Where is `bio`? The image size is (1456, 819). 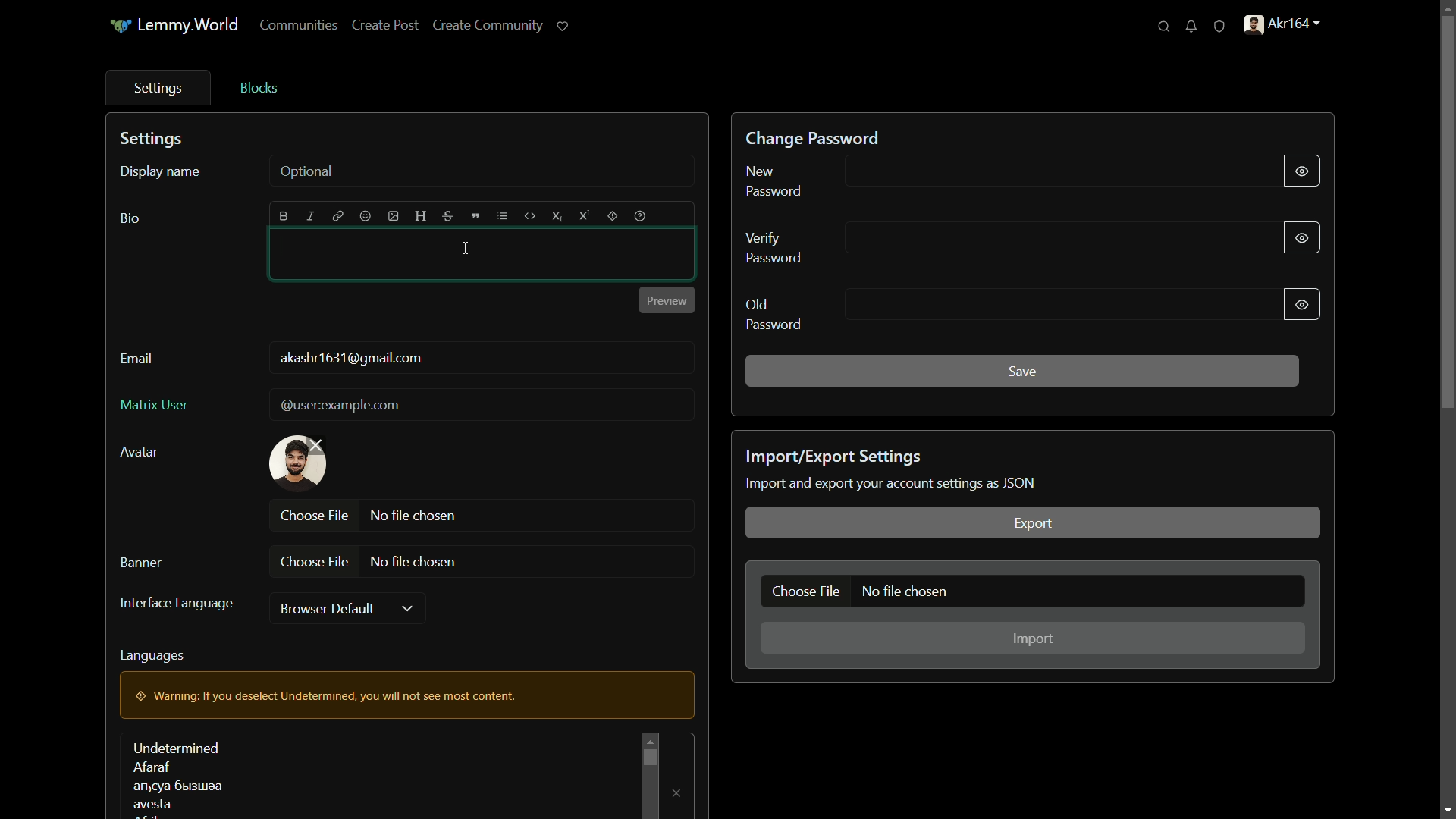
bio is located at coordinates (130, 219).